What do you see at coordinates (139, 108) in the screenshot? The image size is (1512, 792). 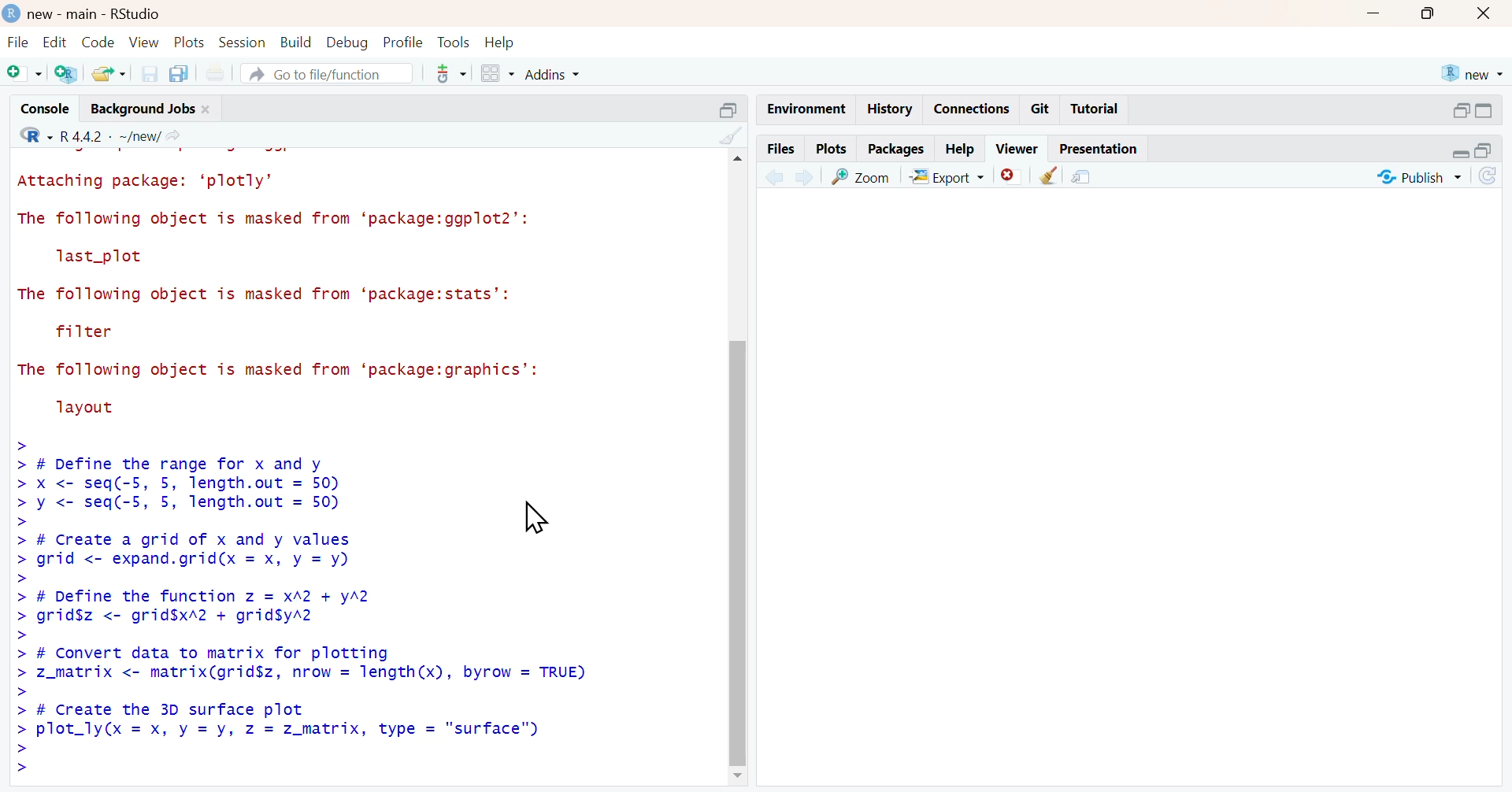 I see `background jobs` at bounding box center [139, 108].